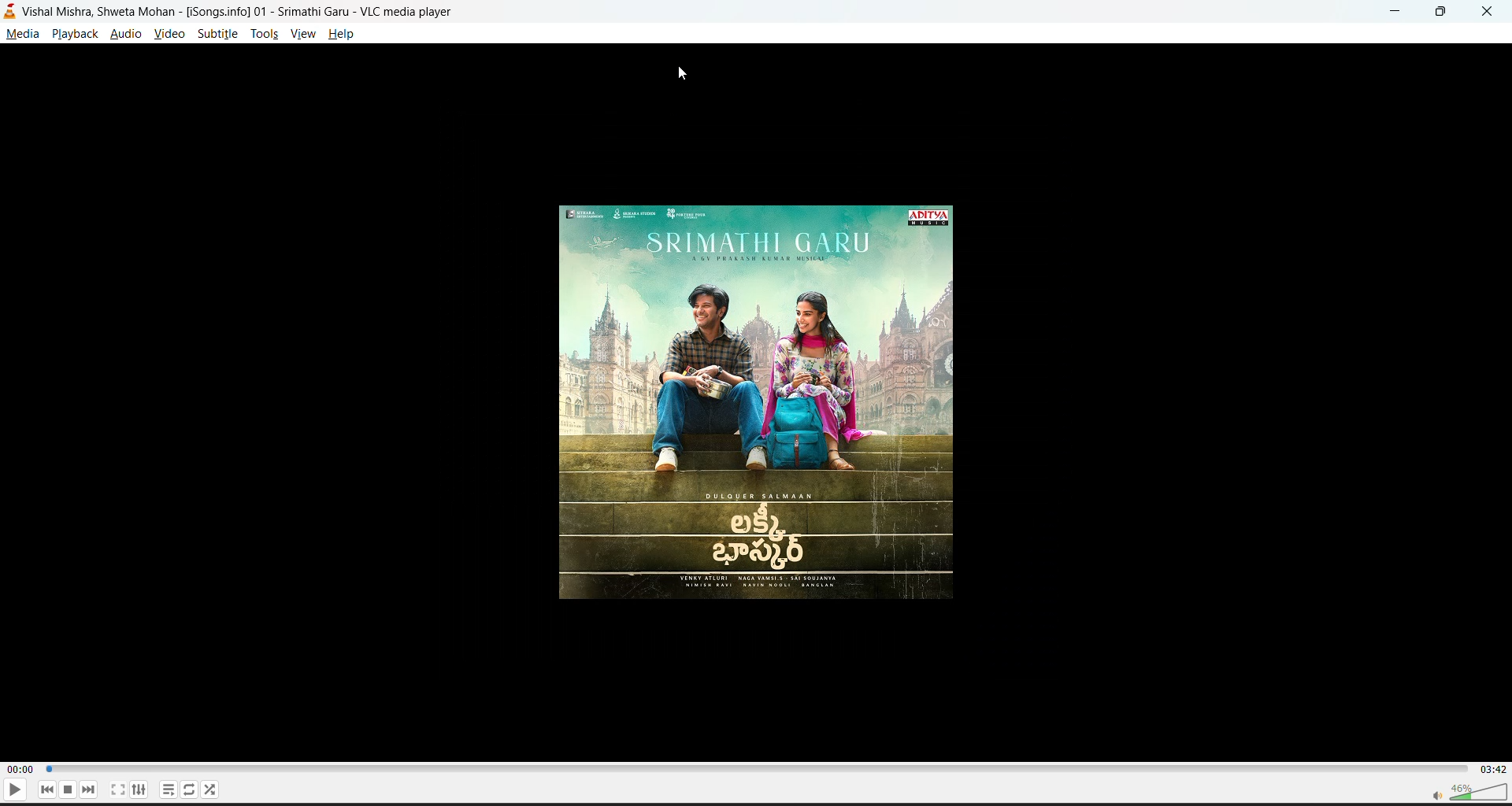 This screenshot has width=1512, height=806. I want to click on view, so click(306, 37).